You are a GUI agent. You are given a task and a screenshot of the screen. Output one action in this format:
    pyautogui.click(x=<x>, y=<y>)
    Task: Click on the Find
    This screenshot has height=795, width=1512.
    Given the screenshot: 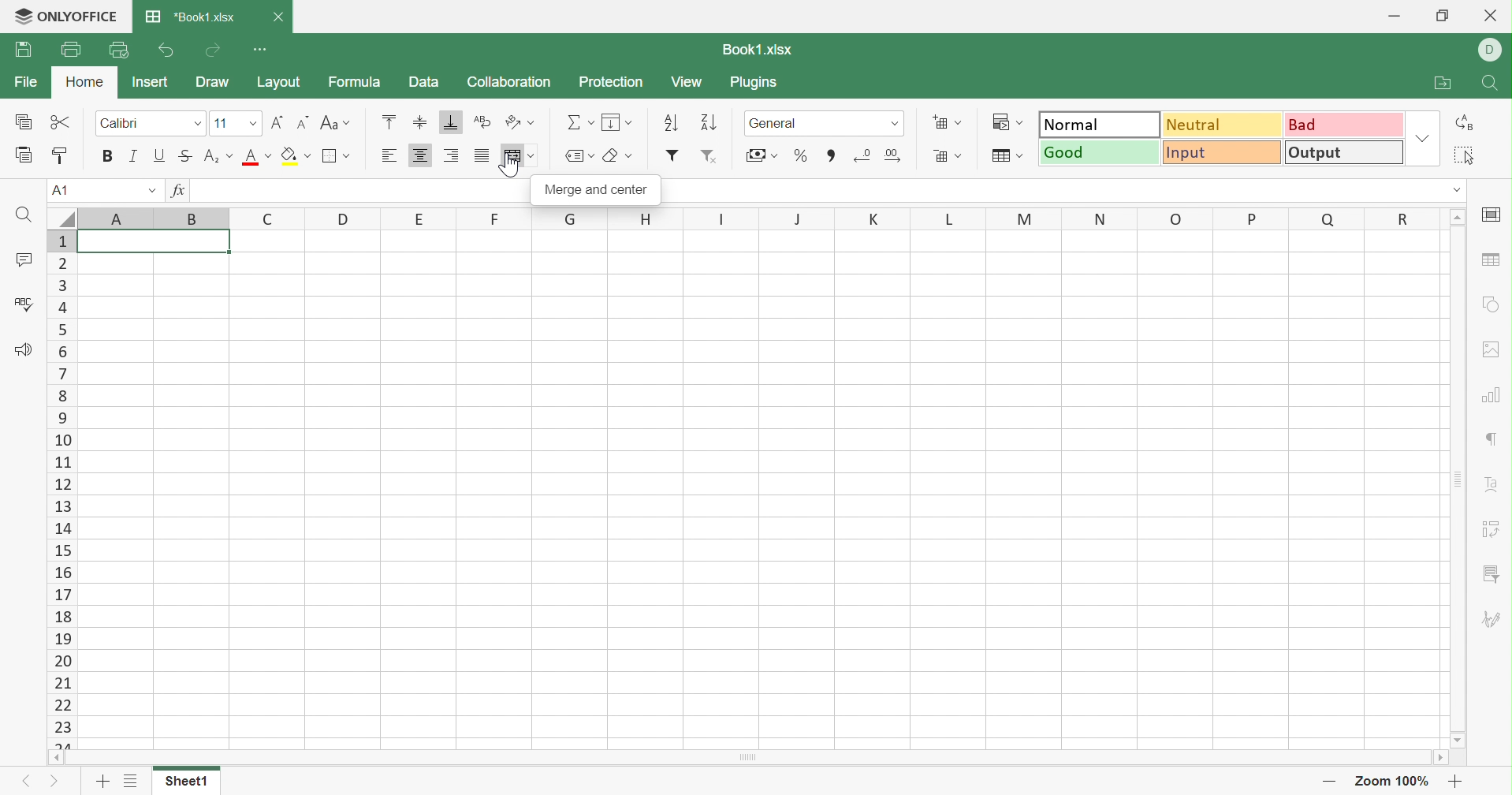 What is the action you would take?
    pyautogui.click(x=22, y=216)
    